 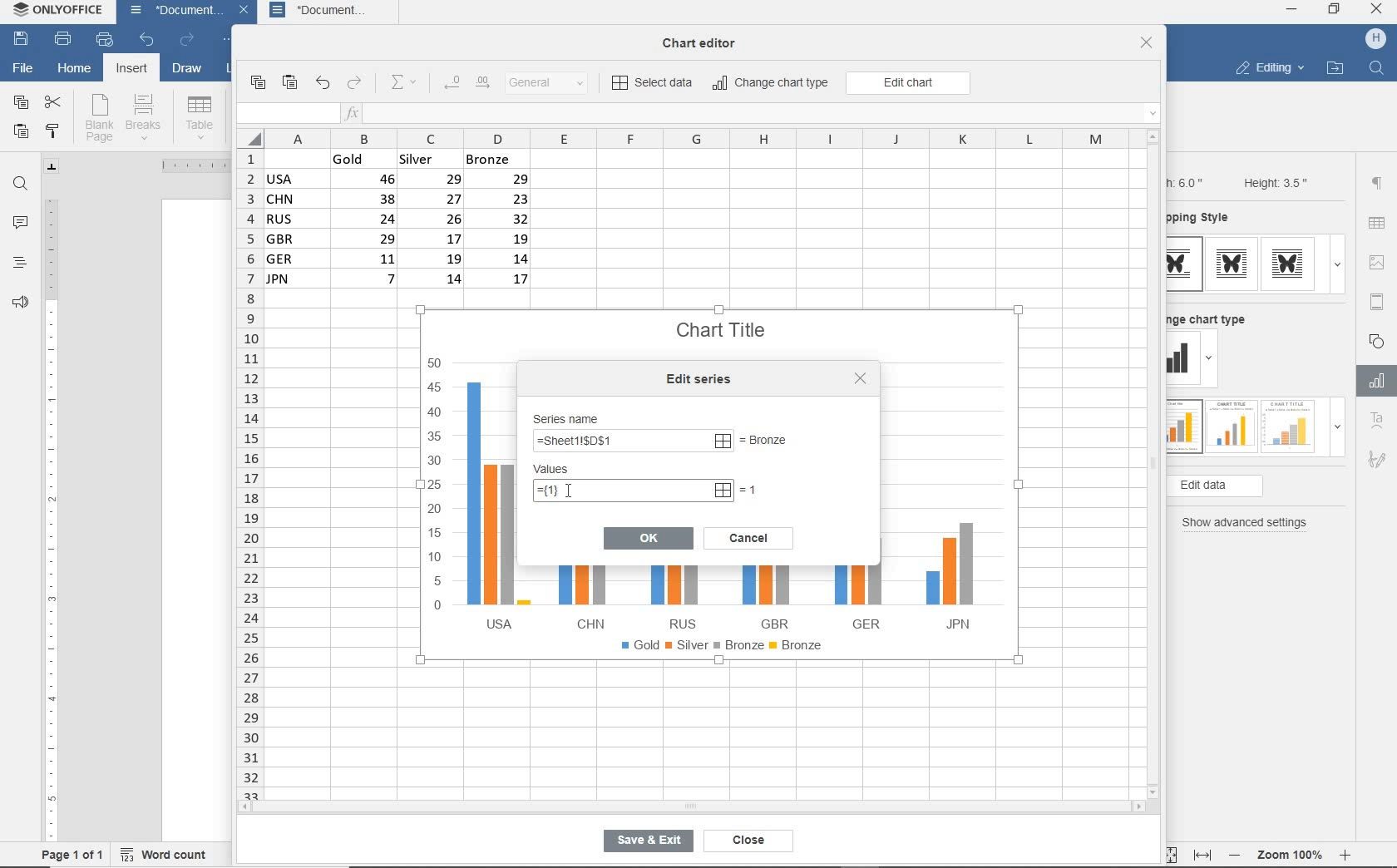 What do you see at coordinates (1335, 69) in the screenshot?
I see `open file location` at bounding box center [1335, 69].